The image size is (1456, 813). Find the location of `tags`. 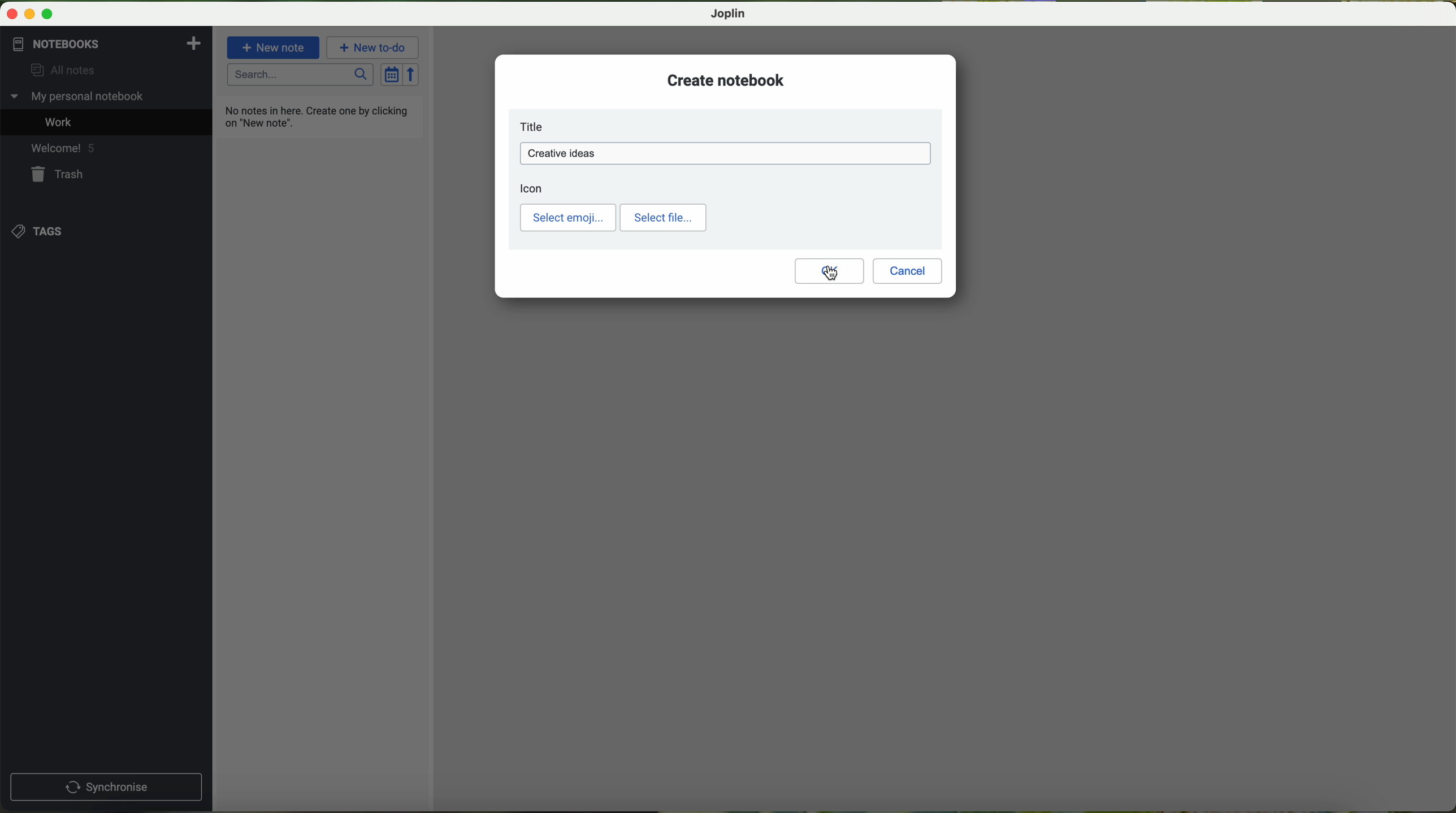

tags is located at coordinates (40, 231).